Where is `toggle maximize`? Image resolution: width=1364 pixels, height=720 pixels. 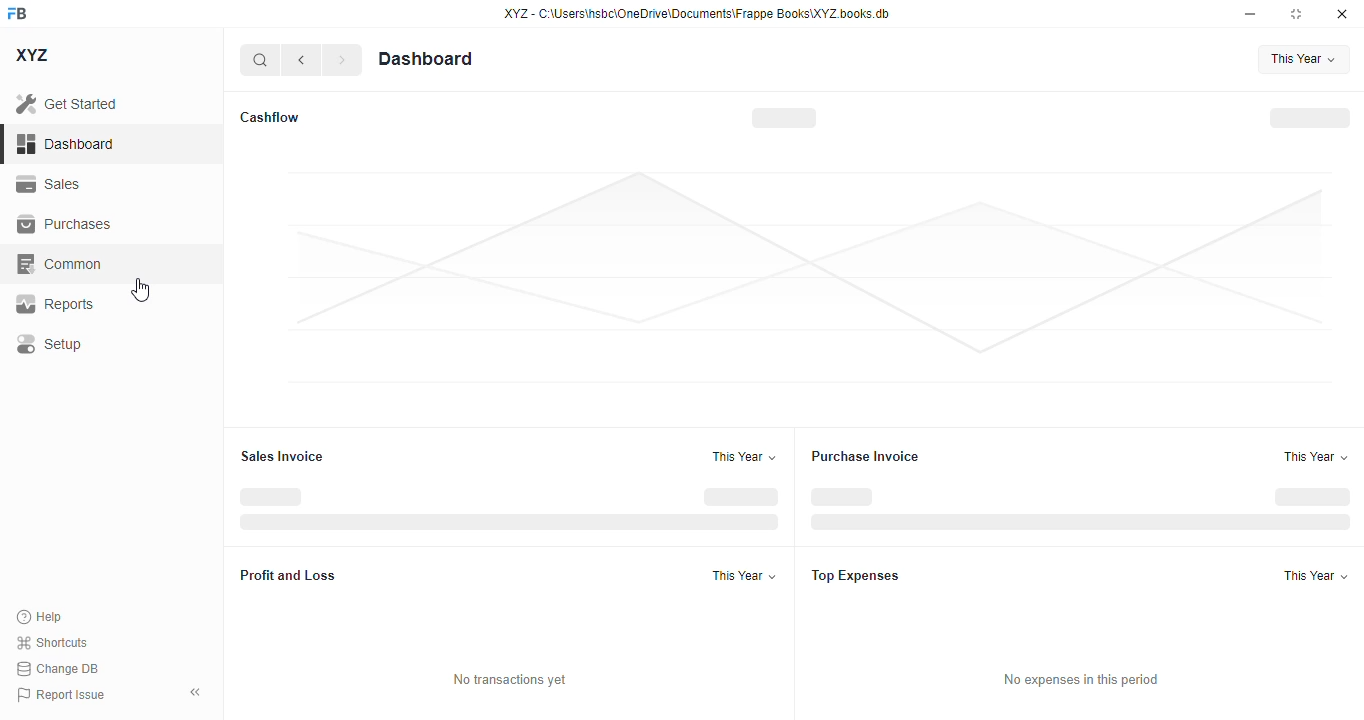
toggle maximize is located at coordinates (1296, 14).